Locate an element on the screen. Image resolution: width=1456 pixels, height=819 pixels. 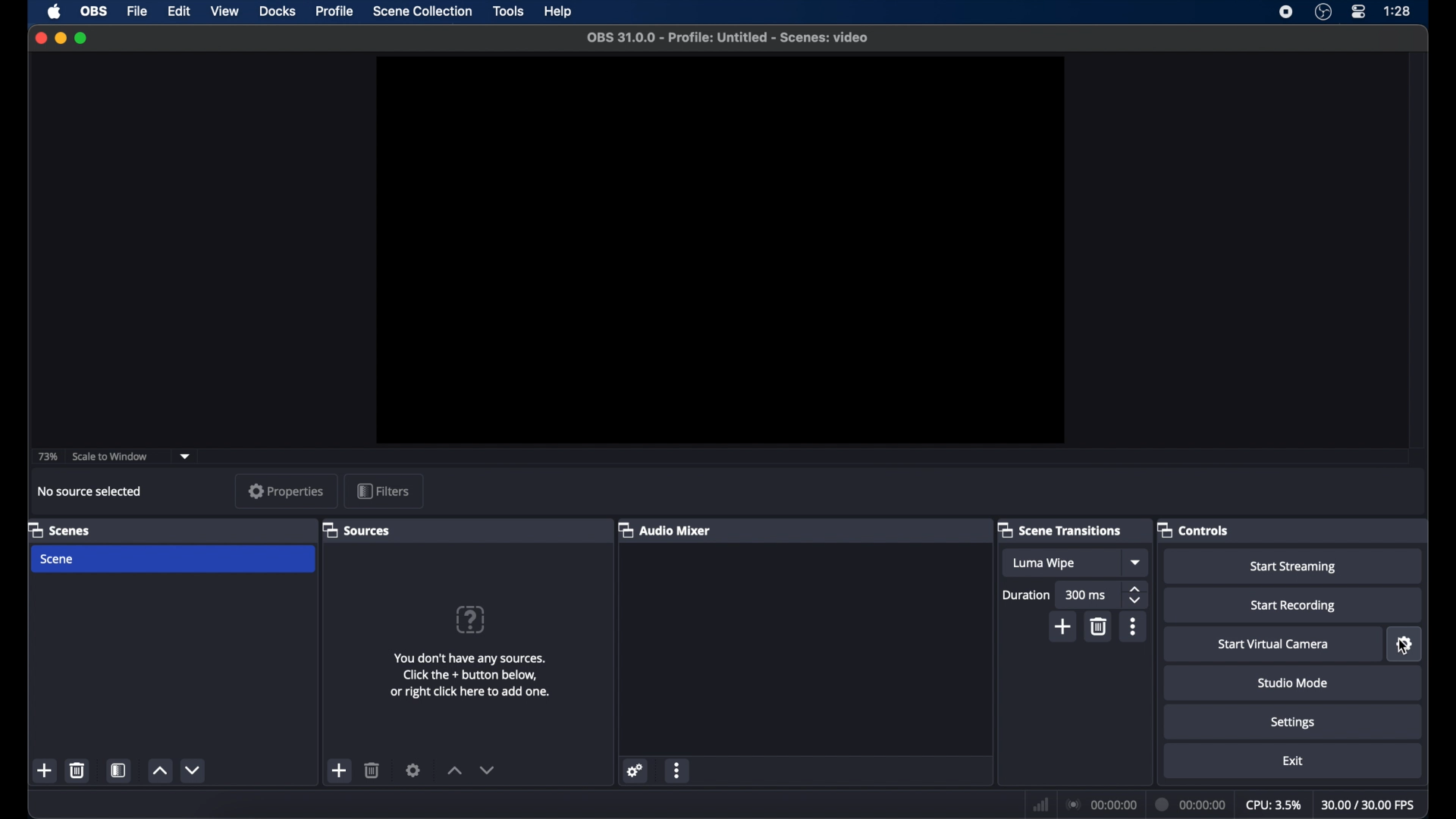
file name is located at coordinates (728, 38).